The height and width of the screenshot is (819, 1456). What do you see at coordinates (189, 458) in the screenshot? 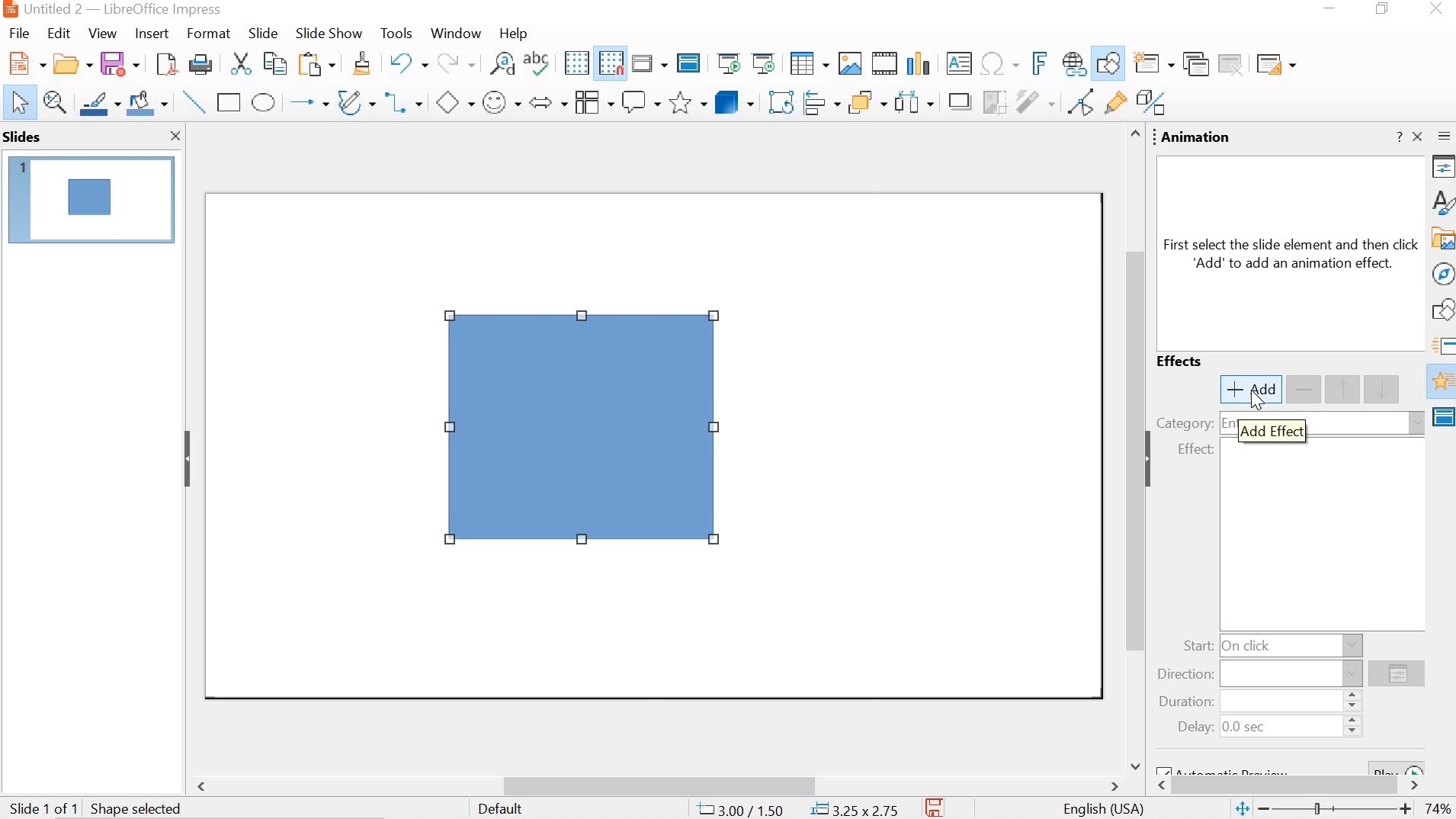
I see `hide` at bounding box center [189, 458].